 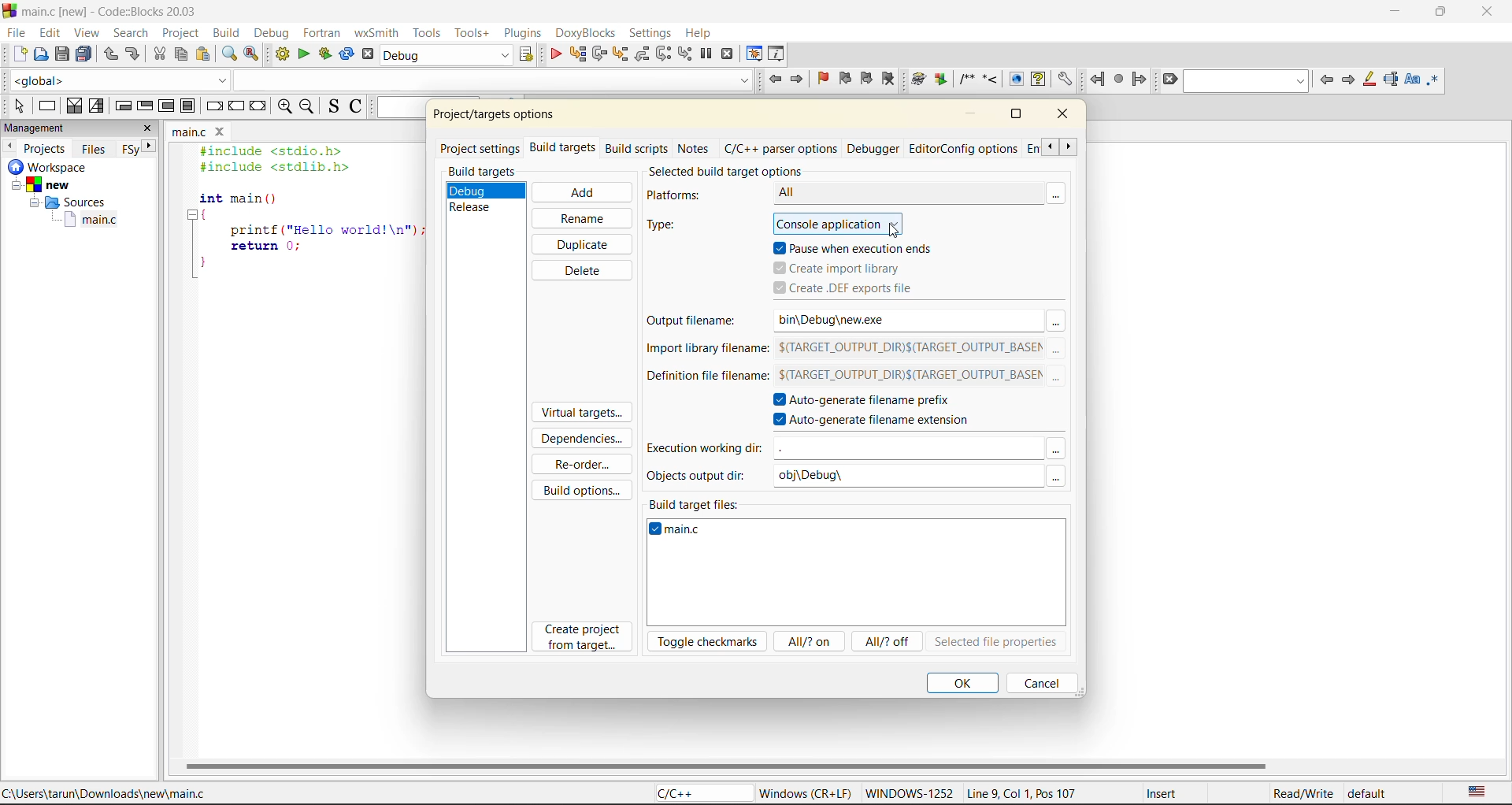 What do you see at coordinates (1185, 792) in the screenshot?
I see `Insert` at bounding box center [1185, 792].